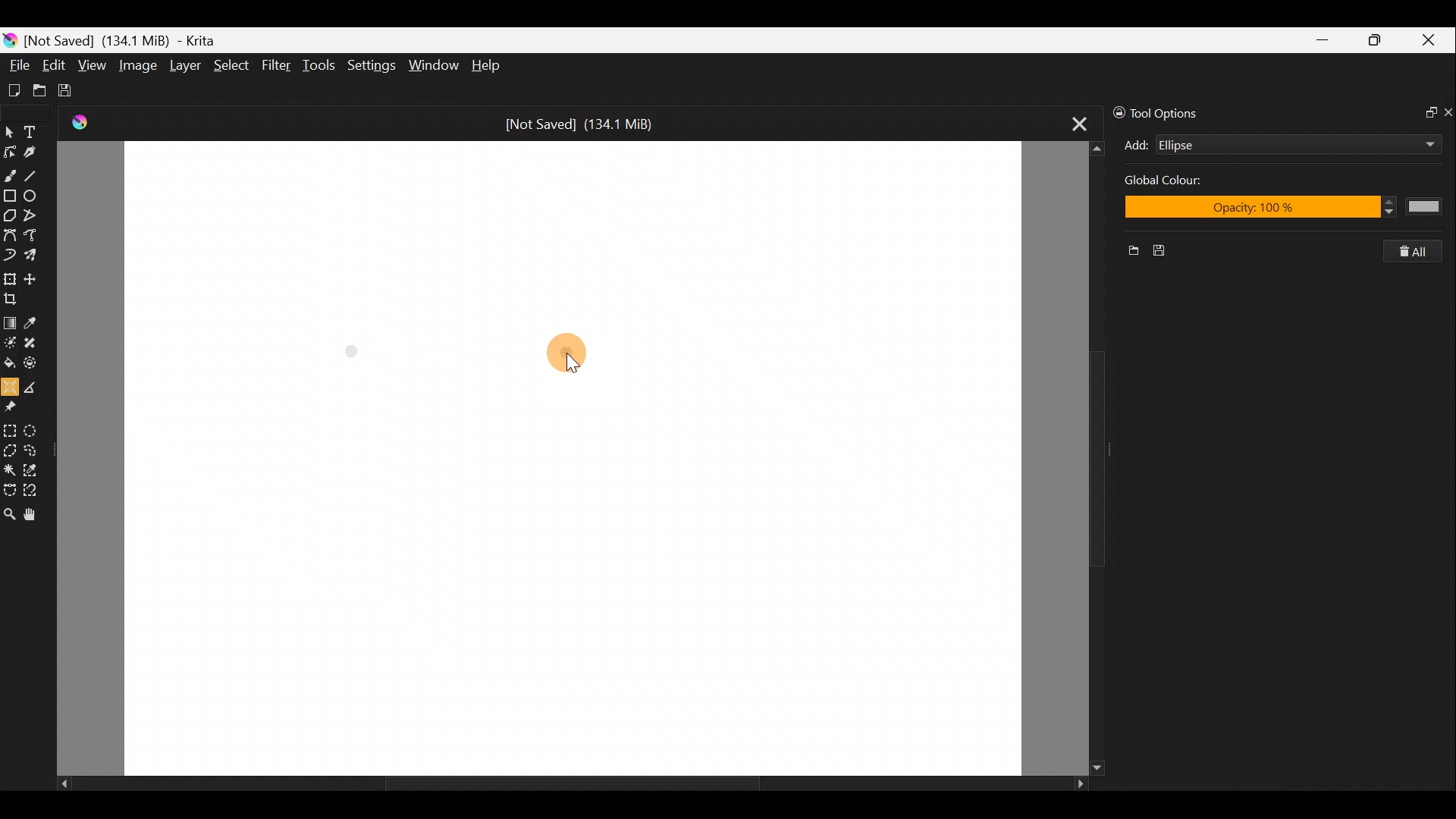 This screenshot has width=1456, height=819. Describe the element at coordinates (36, 449) in the screenshot. I see `Freehand selection tool` at that location.